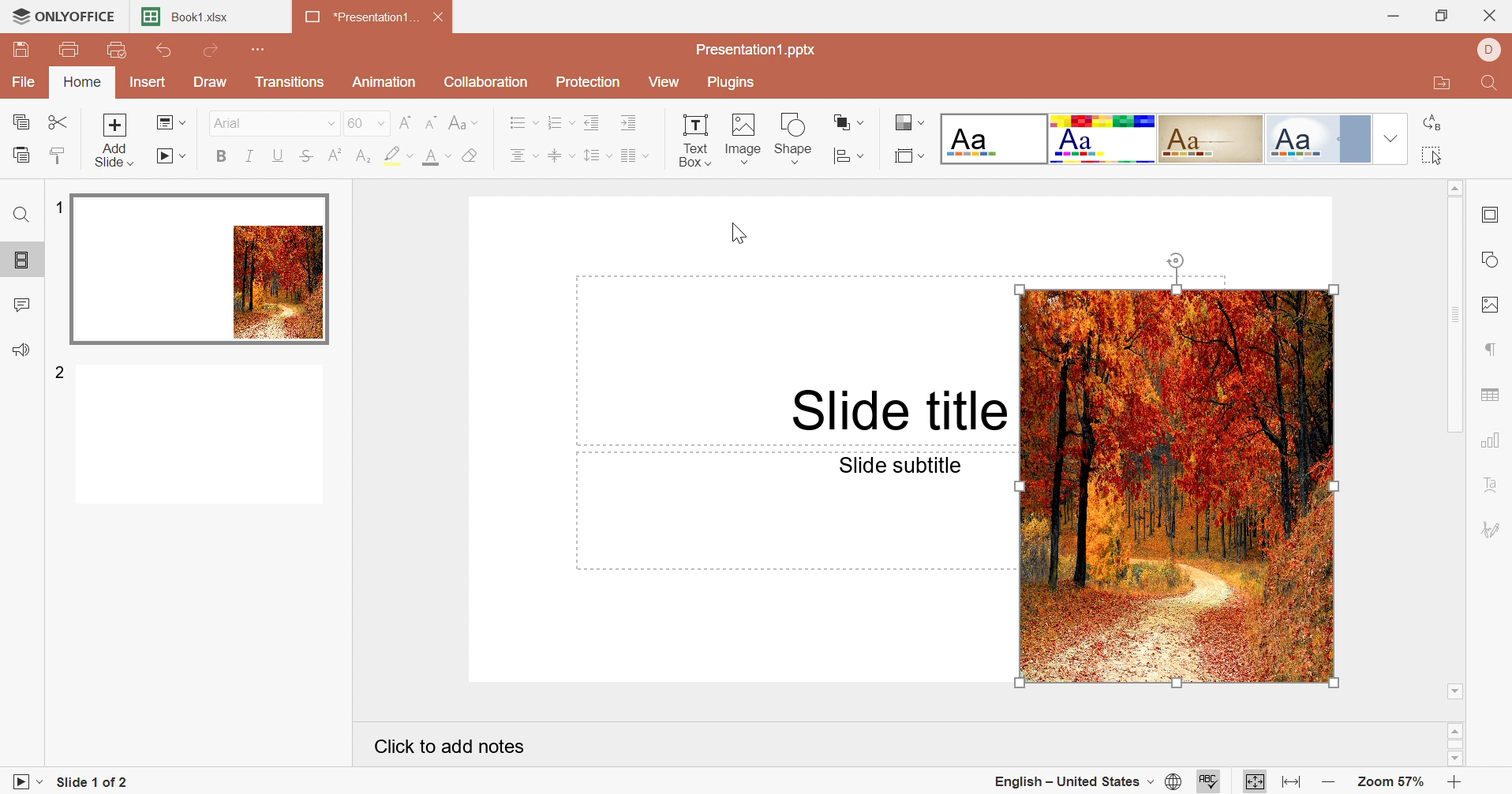 This screenshot has width=1512, height=794. Describe the element at coordinates (1438, 86) in the screenshot. I see `Open file location` at that location.